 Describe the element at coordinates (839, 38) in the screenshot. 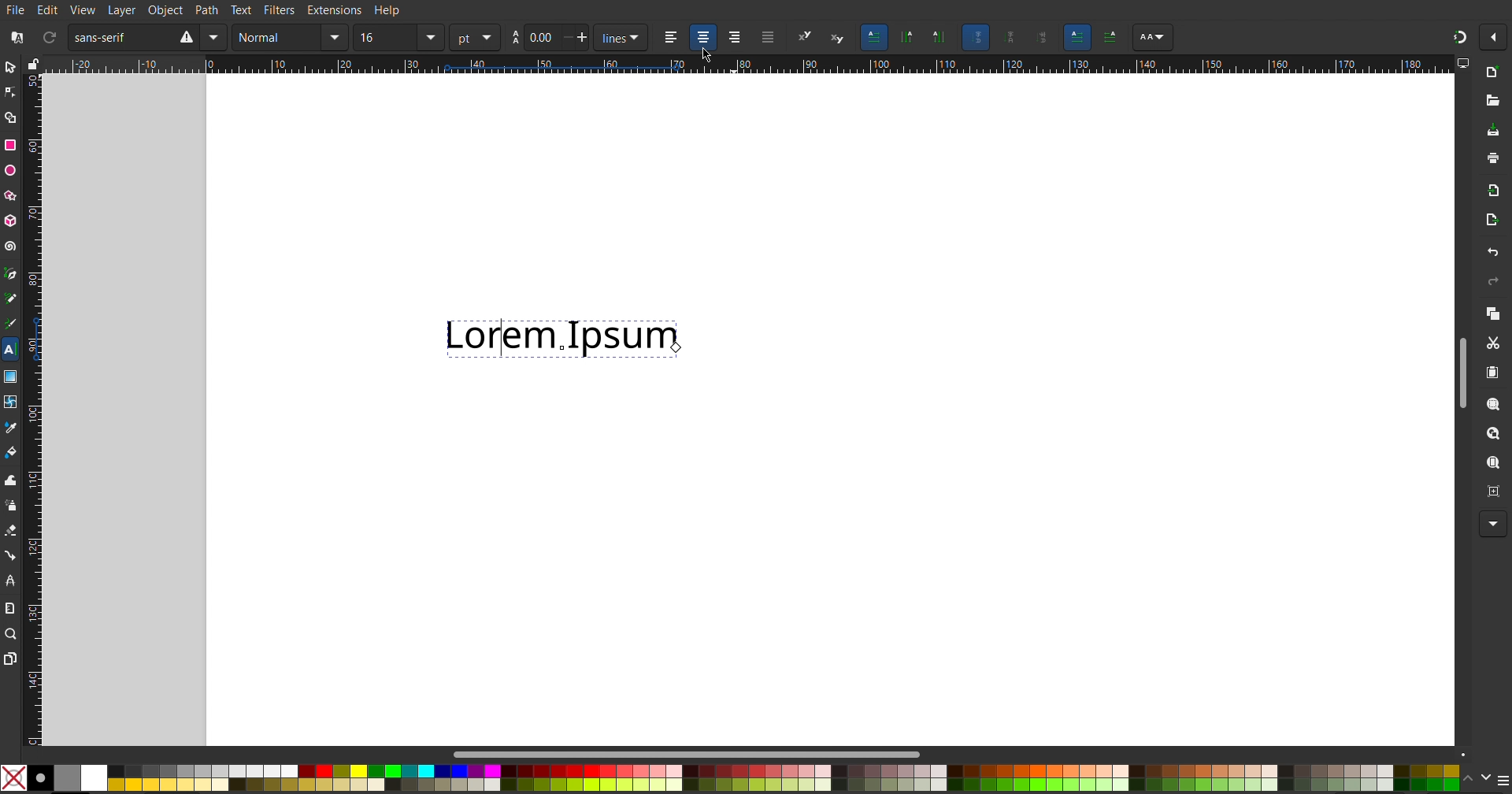

I see `subscript` at that location.